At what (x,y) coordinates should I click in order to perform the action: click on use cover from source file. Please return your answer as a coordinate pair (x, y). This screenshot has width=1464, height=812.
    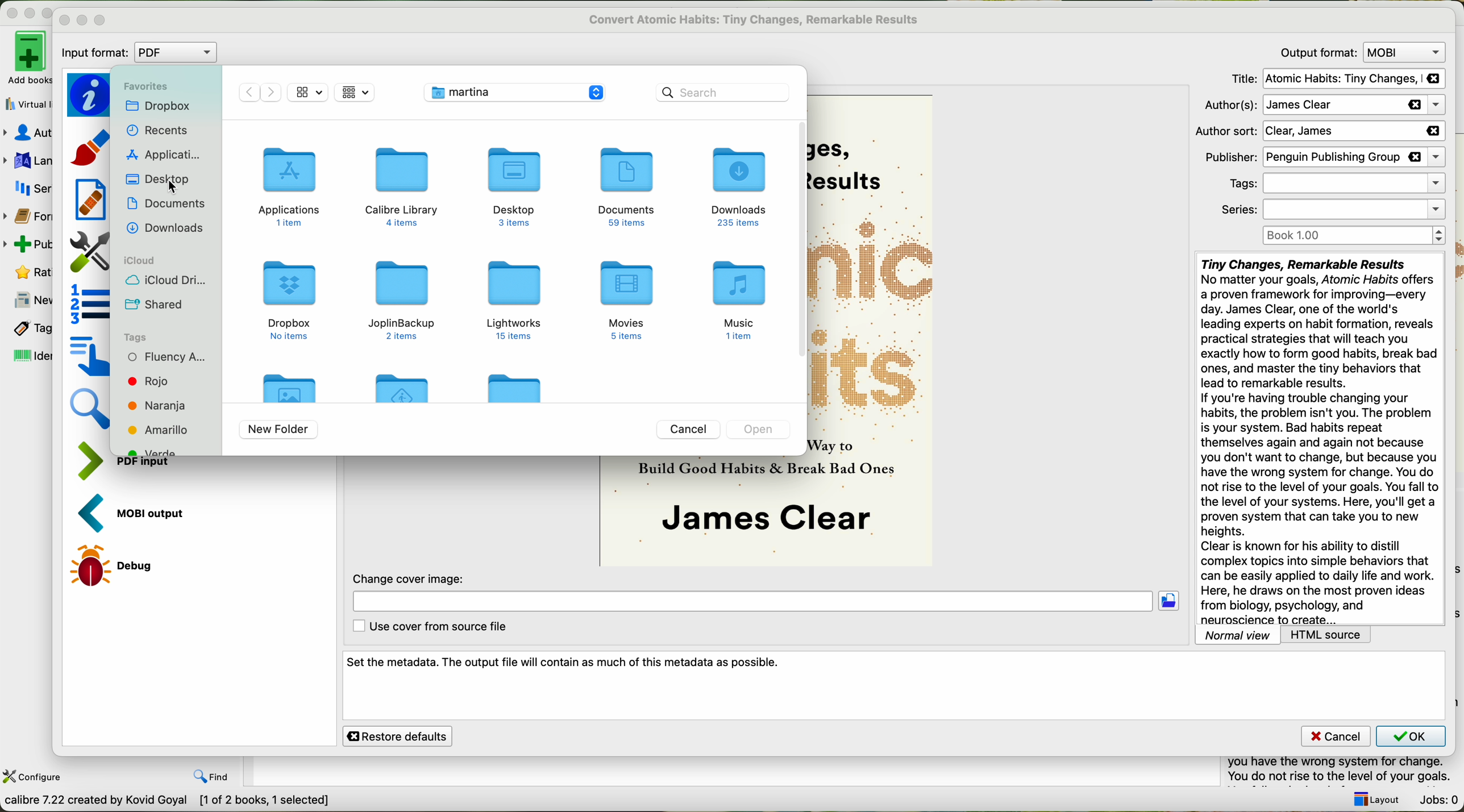
    Looking at the image, I should click on (428, 627).